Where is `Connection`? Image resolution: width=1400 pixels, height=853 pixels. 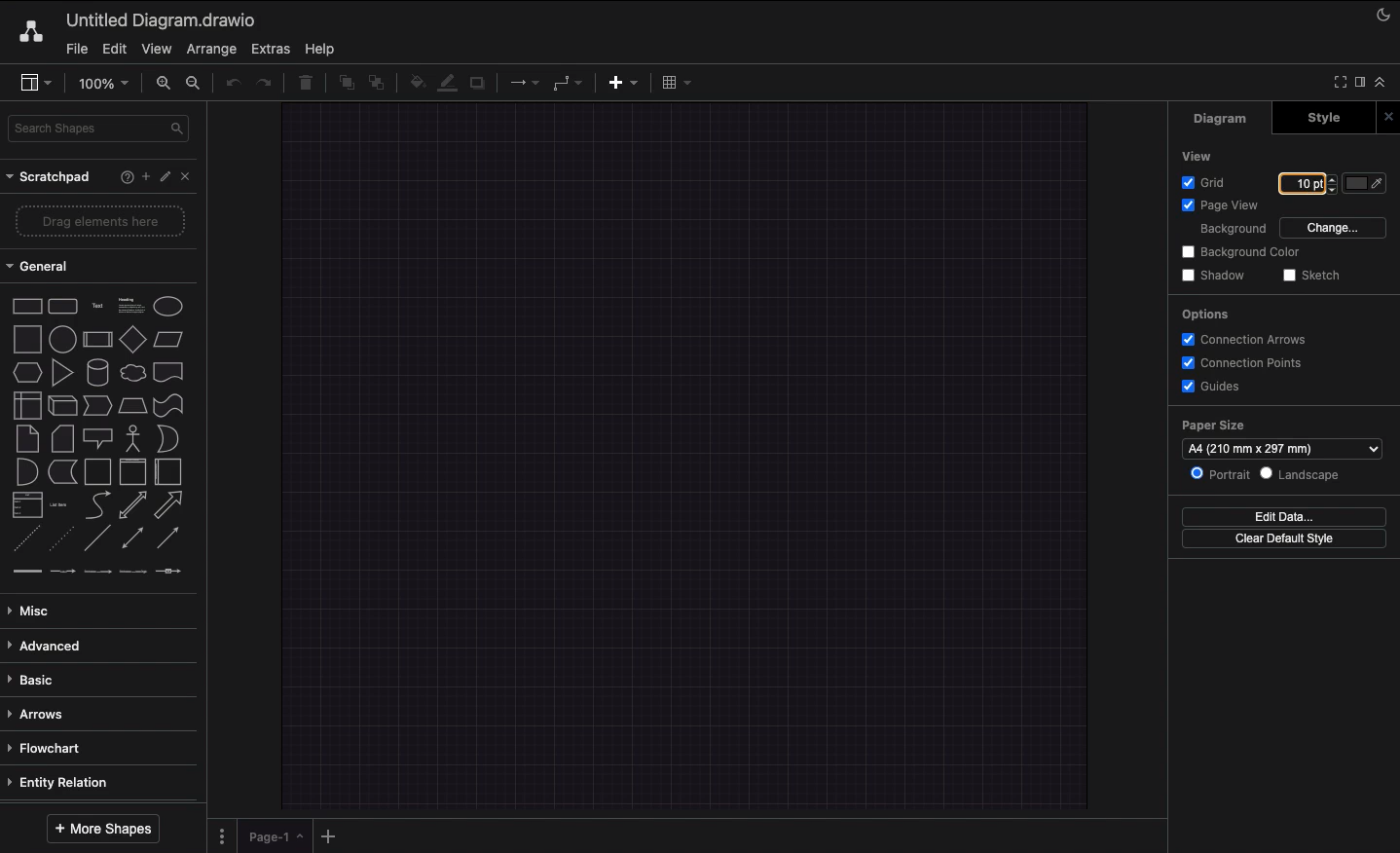
Connection is located at coordinates (524, 83).